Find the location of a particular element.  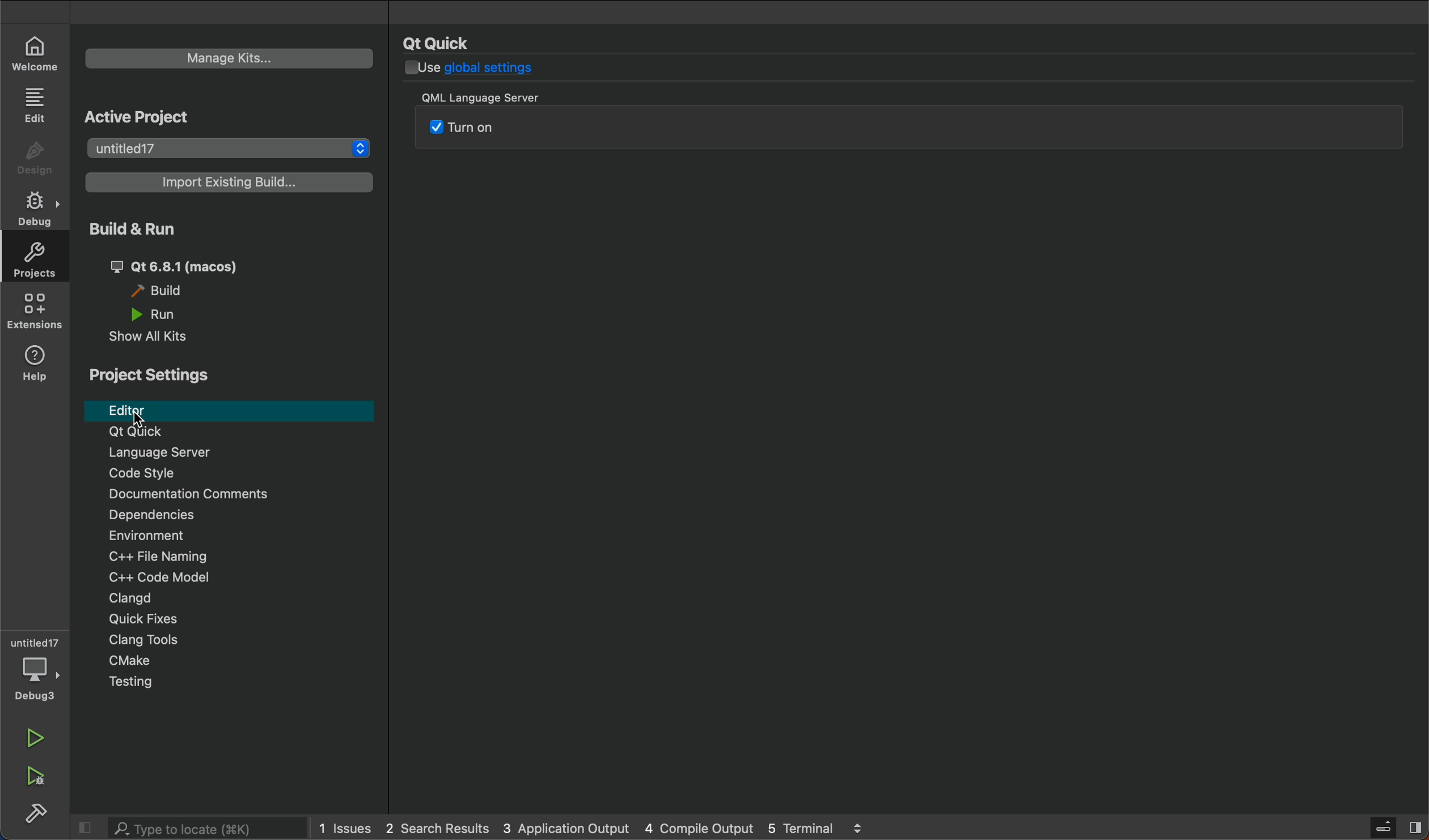

Dependencies  is located at coordinates (222, 515).